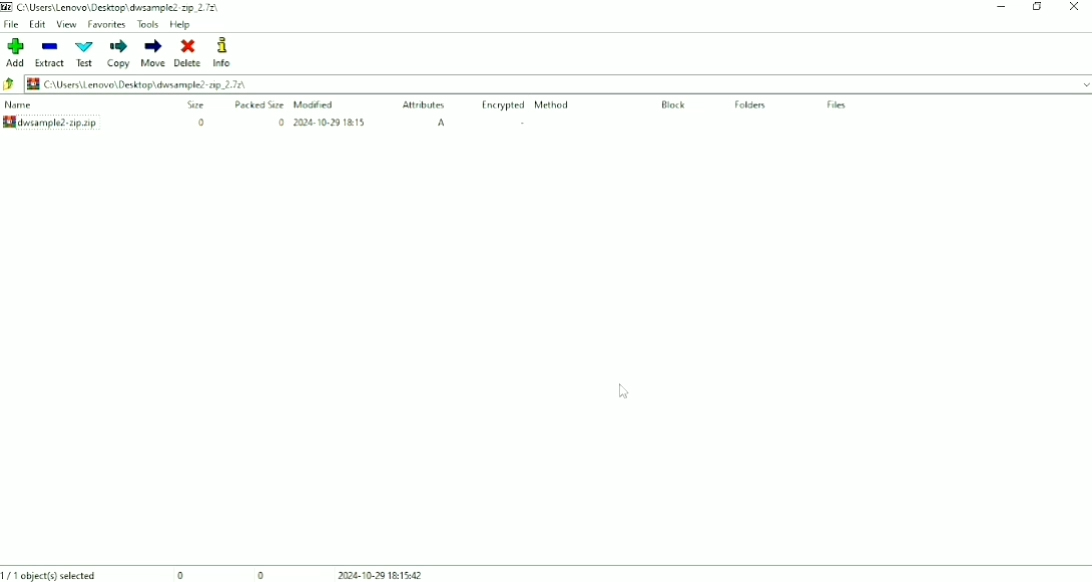 The image size is (1092, 582). What do you see at coordinates (148, 24) in the screenshot?
I see `Tools` at bounding box center [148, 24].